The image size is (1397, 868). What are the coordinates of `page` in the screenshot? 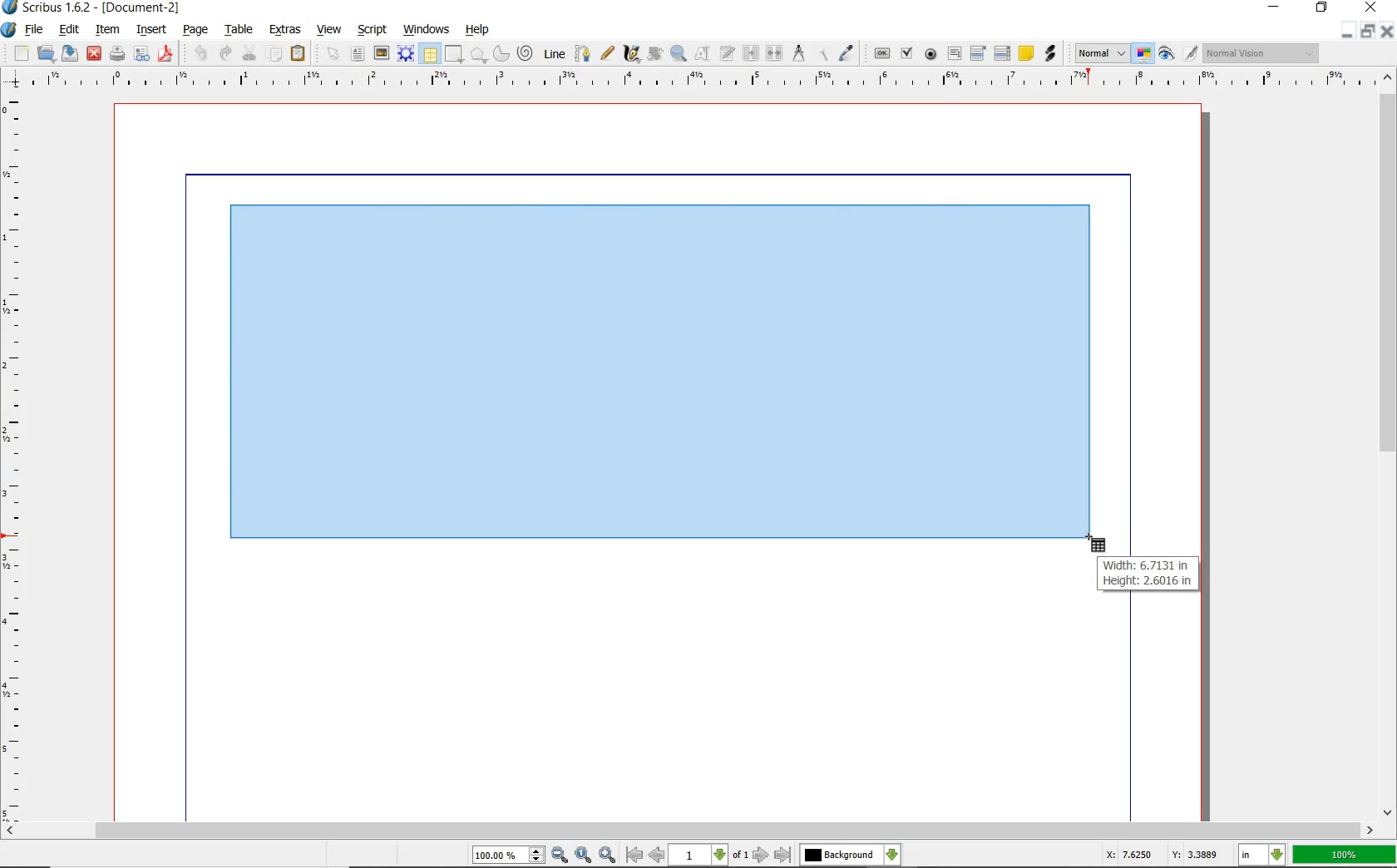 It's located at (198, 32).